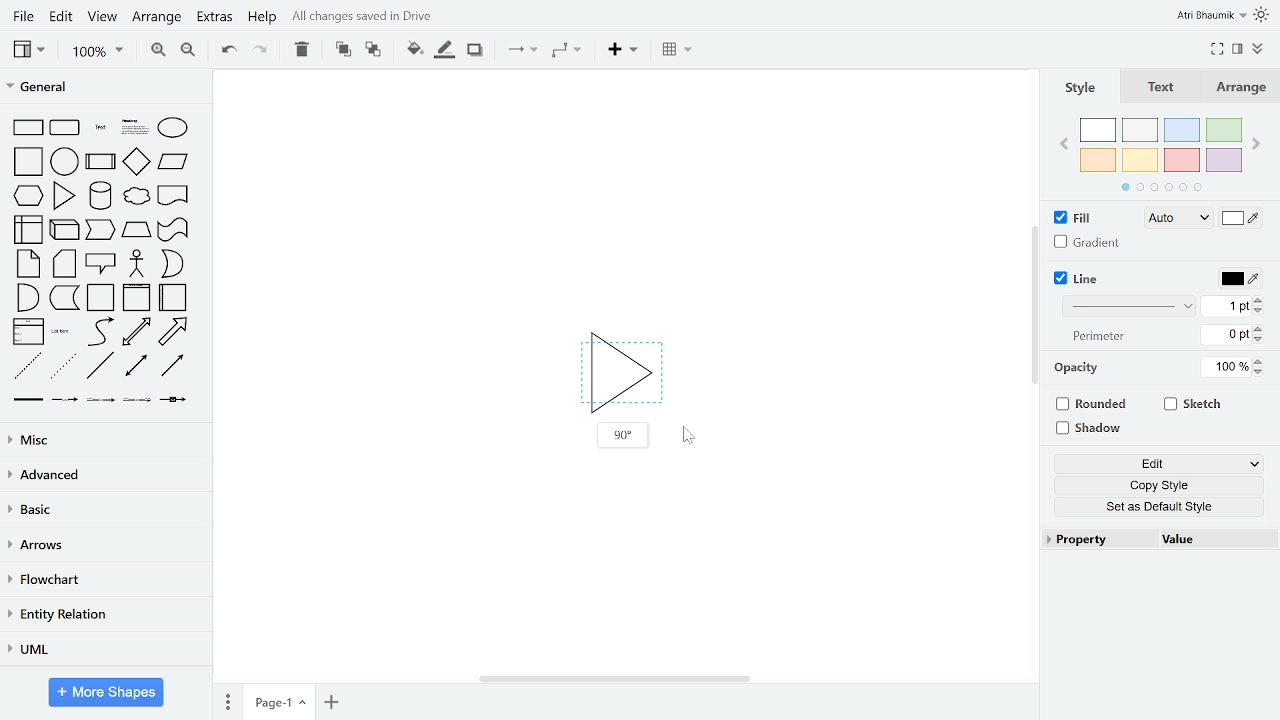 The image size is (1280, 720). Describe the element at coordinates (65, 300) in the screenshot. I see `data storage` at that location.